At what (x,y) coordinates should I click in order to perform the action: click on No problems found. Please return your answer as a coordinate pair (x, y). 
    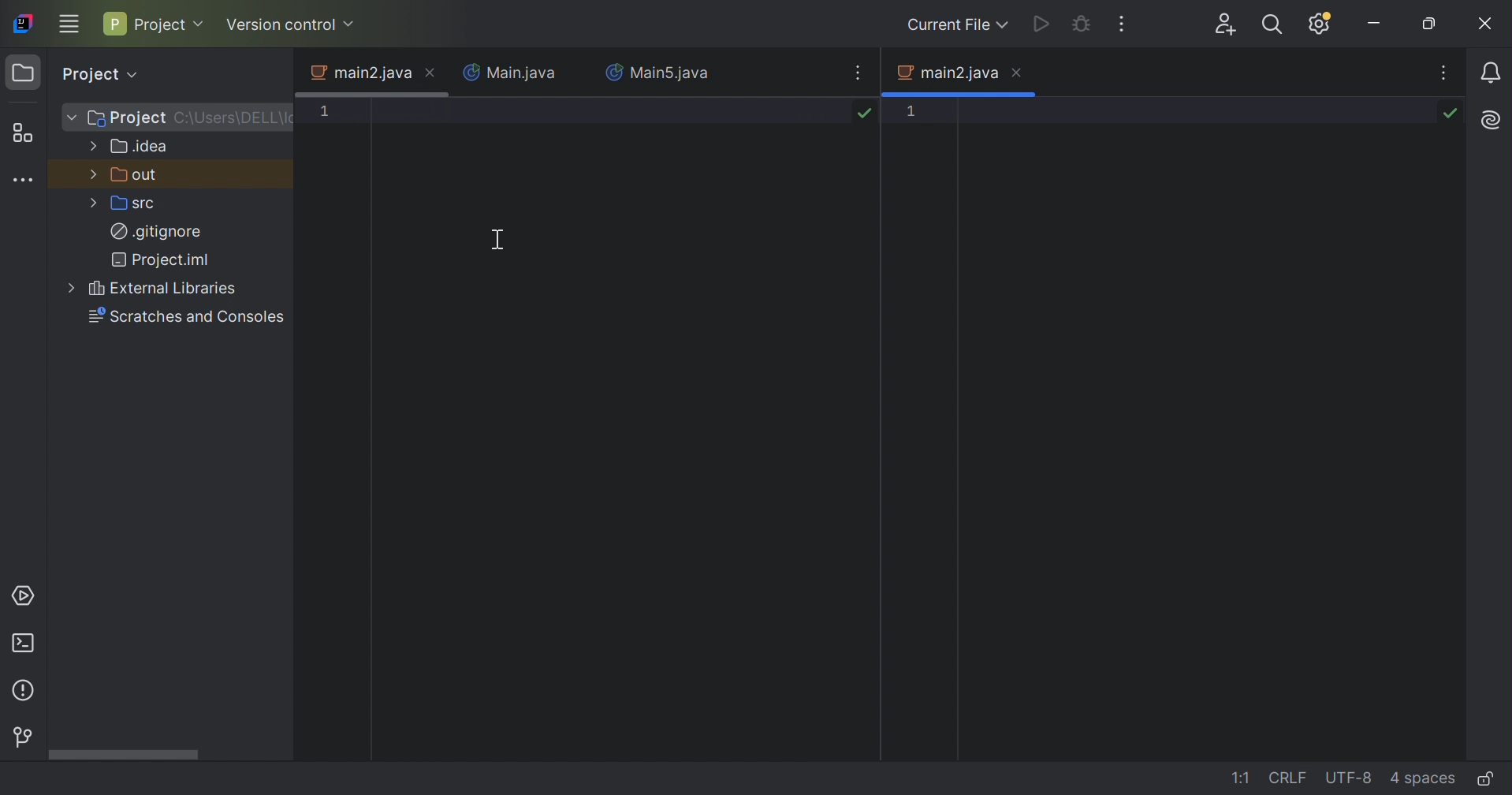
    Looking at the image, I should click on (1450, 112).